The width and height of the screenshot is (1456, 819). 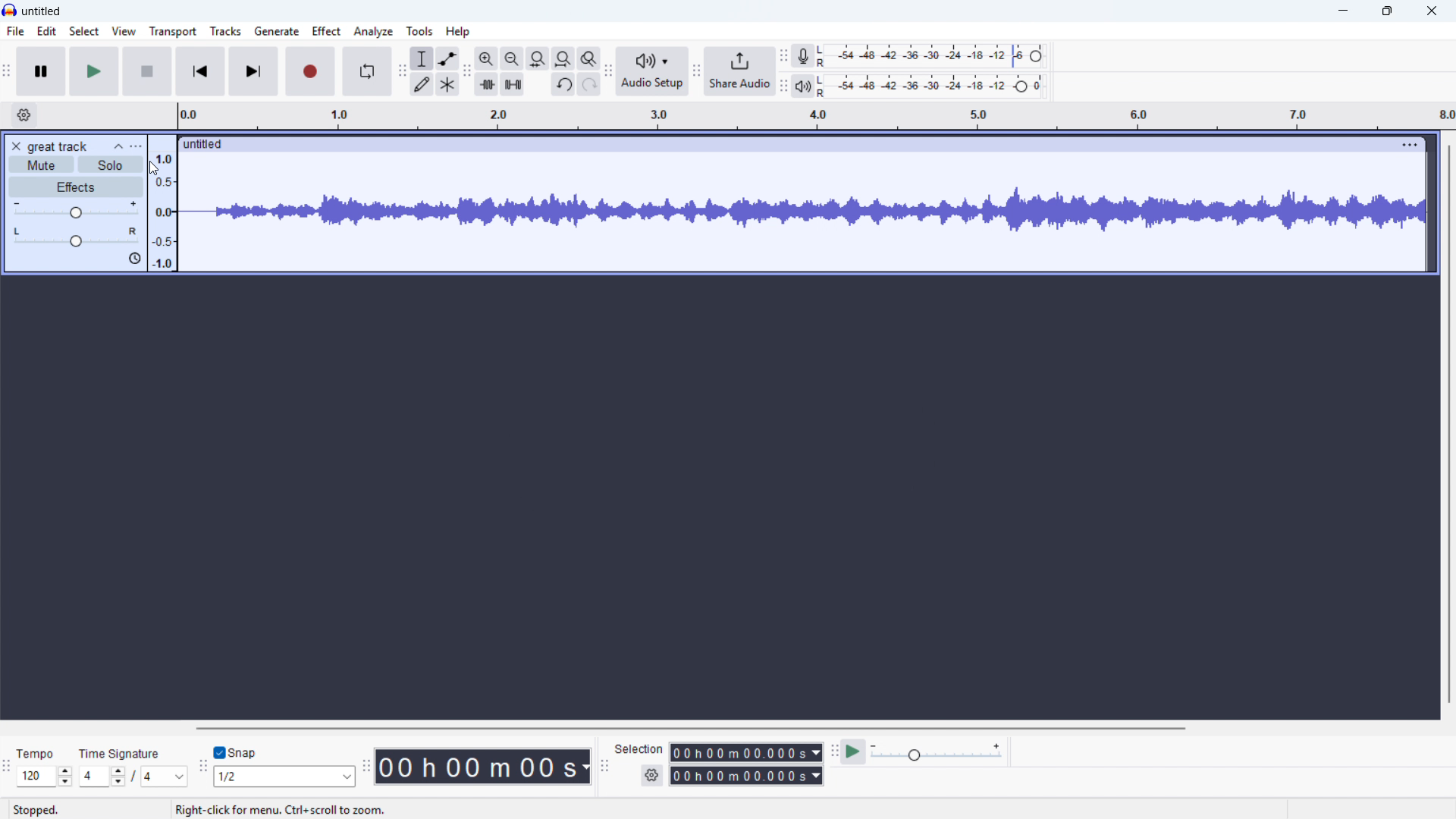 I want to click on file , so click(x=16, y=33).